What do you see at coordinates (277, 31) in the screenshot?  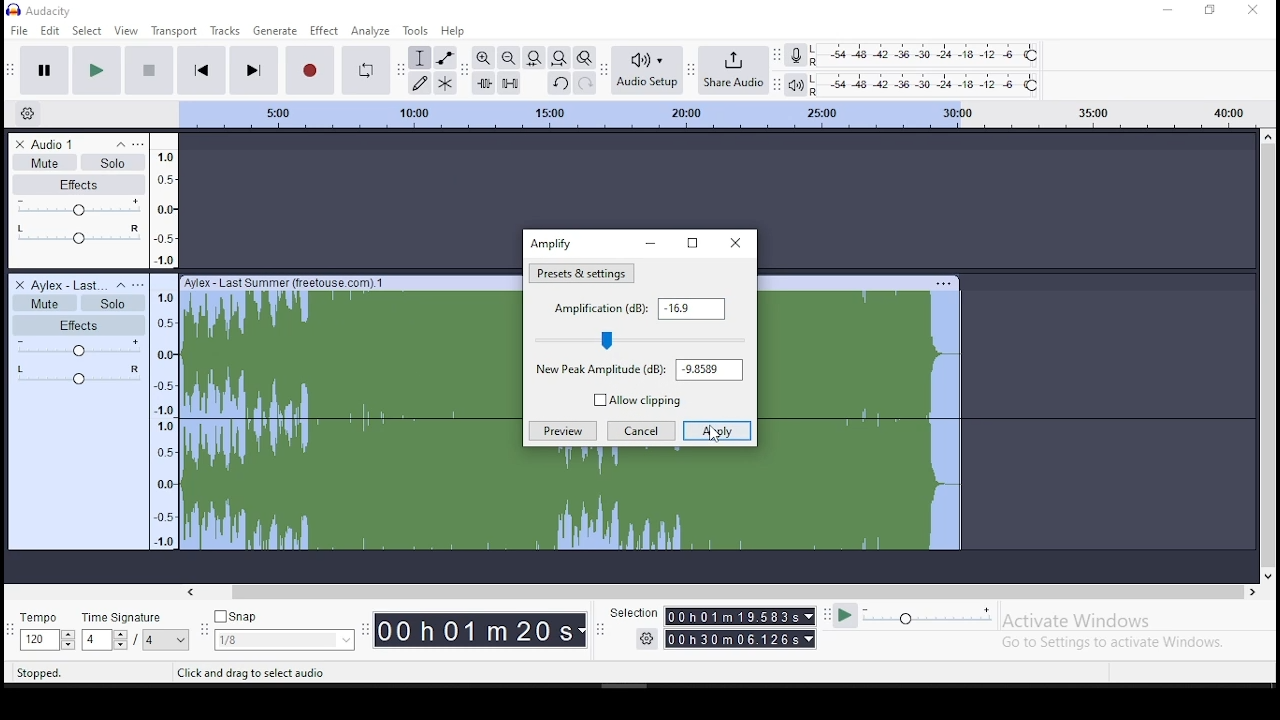 I see `generate` at bounding box center [277, 31].